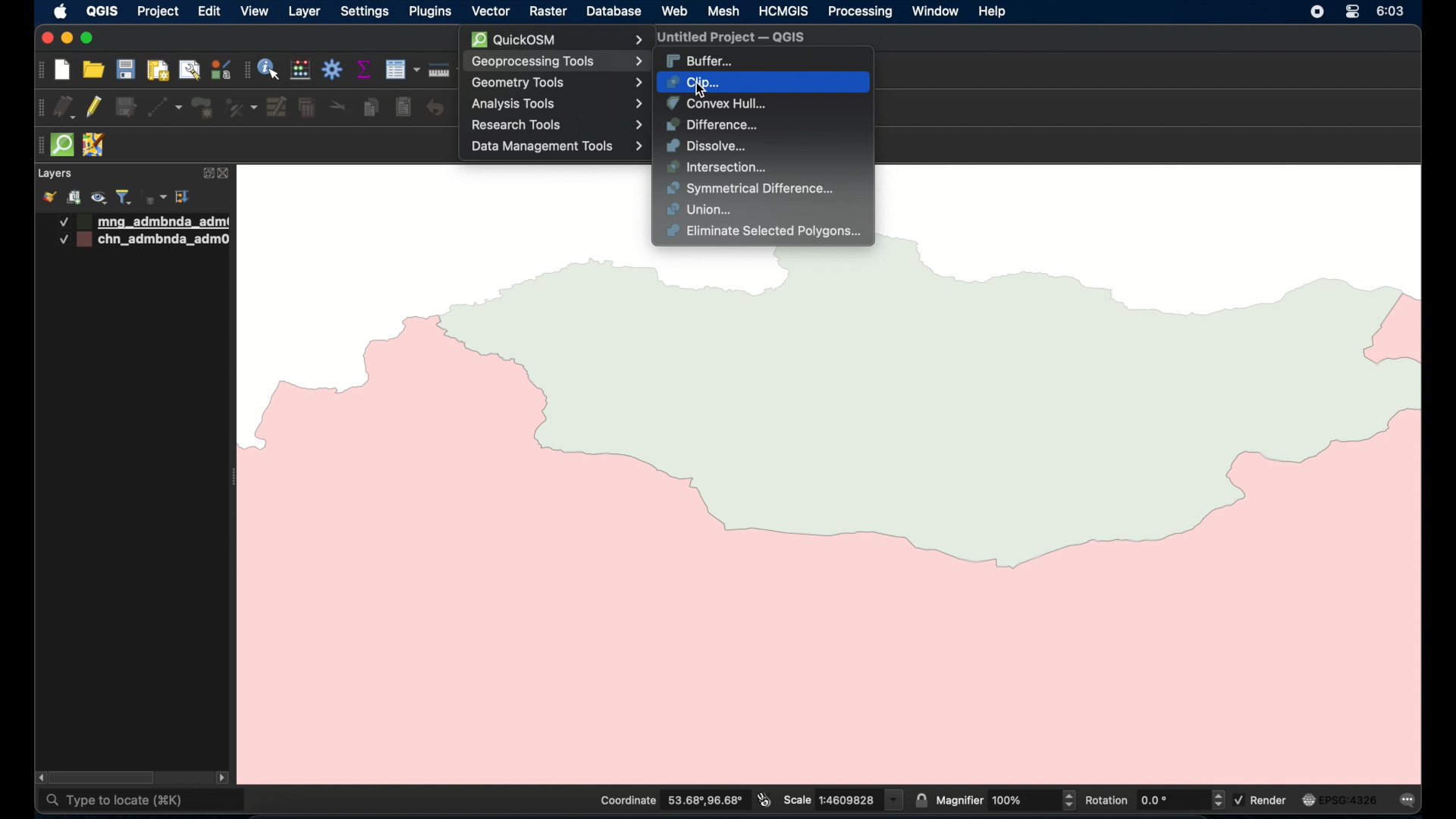 The image size is (1456, 819). Describe the element at coordinates (63, 145) in the screenshot. I see `quick osm` at that location.